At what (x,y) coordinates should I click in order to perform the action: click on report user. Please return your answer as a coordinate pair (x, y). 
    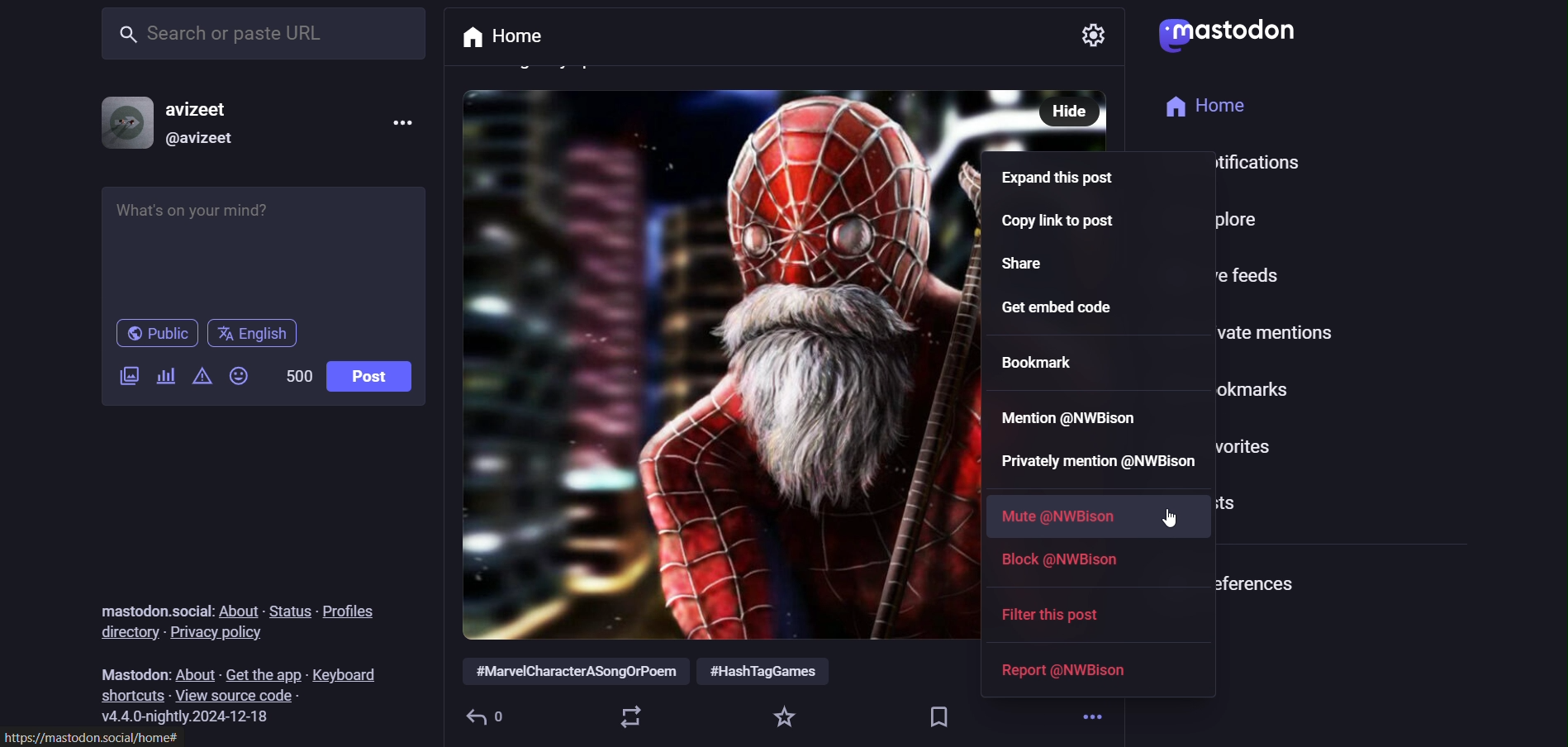
    Looking at the image, I should click on (1065, 671).